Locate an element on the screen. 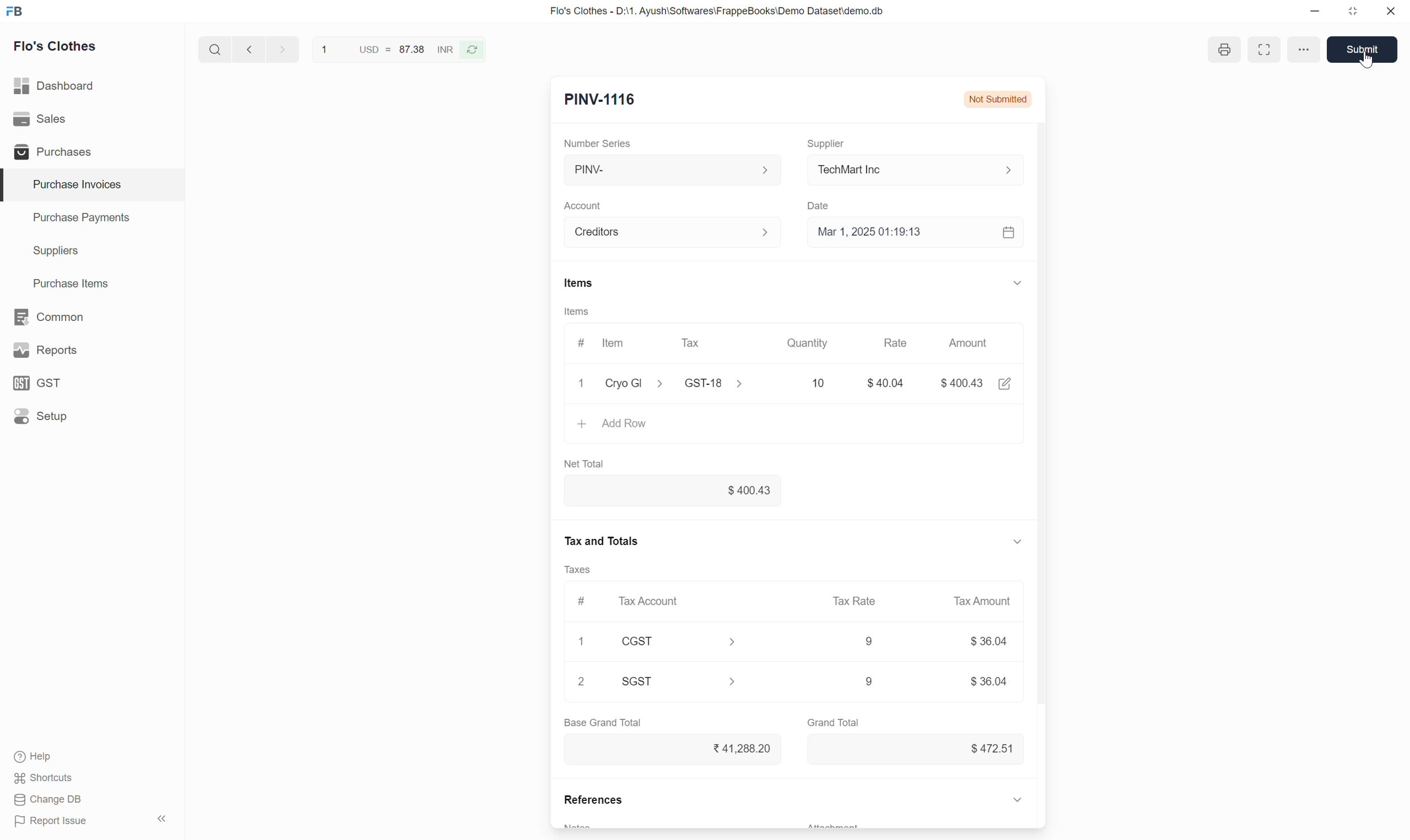  search is located at coordinates (213, 47).